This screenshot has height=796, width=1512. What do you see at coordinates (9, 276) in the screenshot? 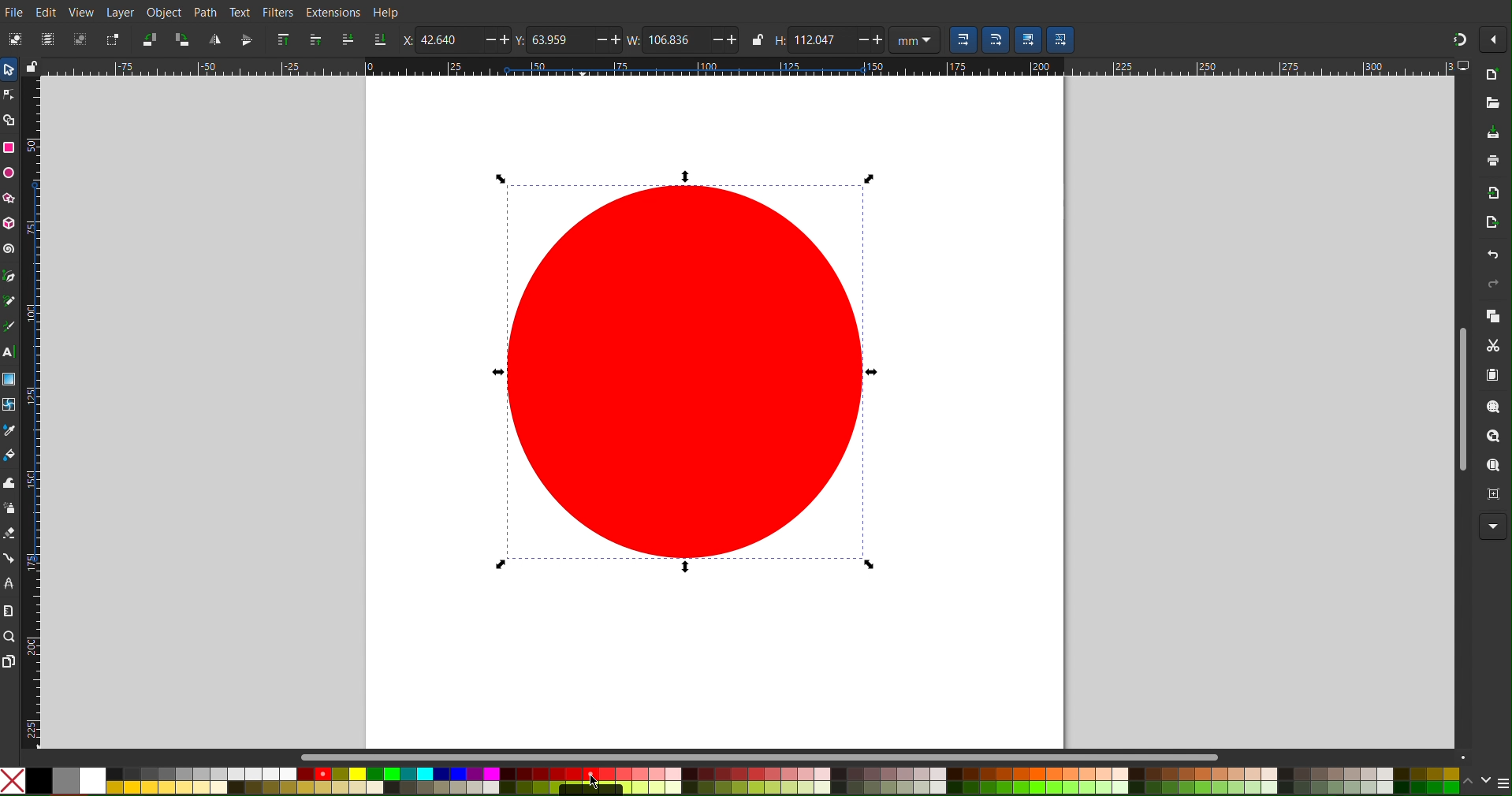
I see `Pen Tool` at bounding box center [9, 276].